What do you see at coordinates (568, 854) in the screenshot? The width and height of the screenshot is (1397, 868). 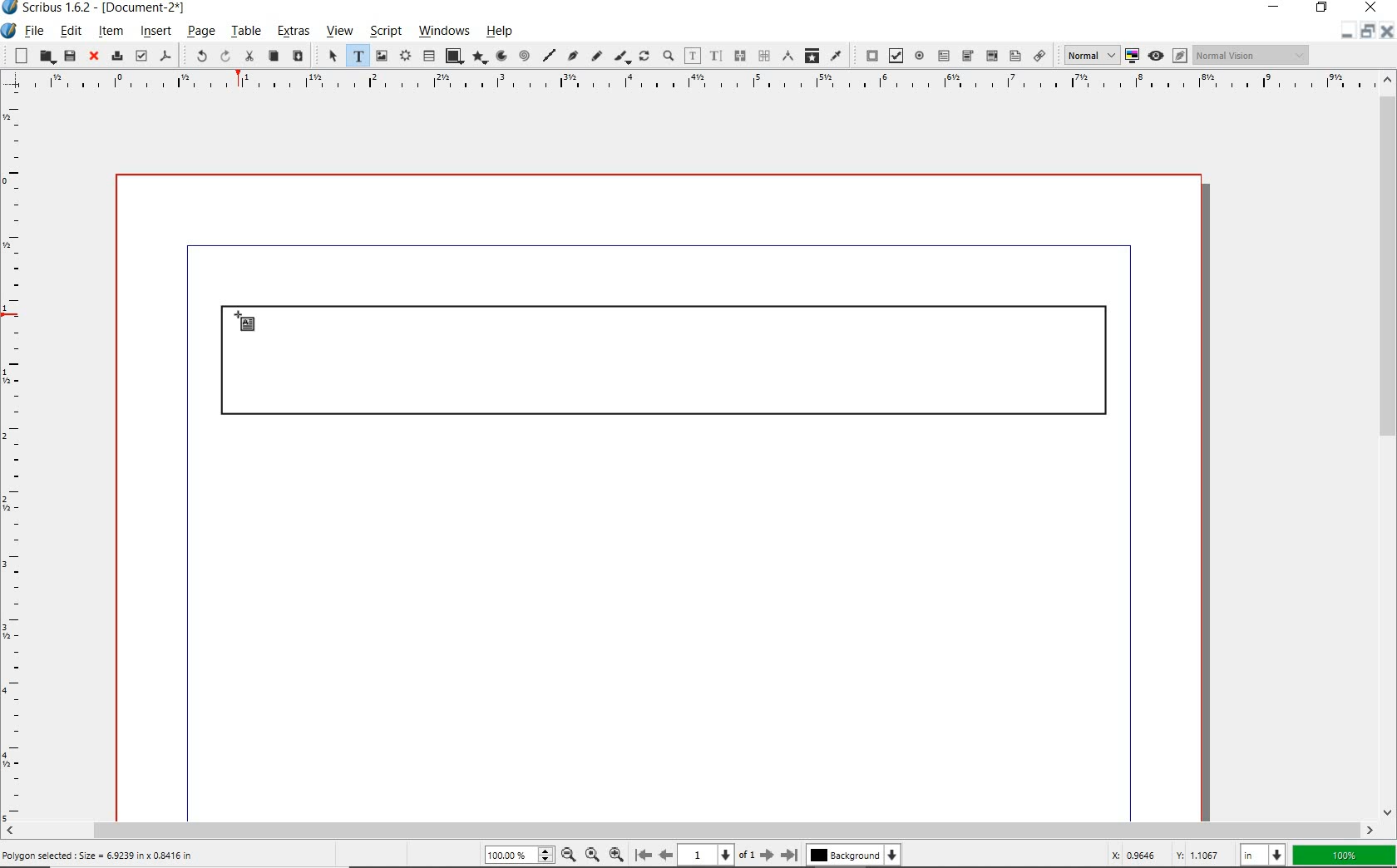 I see `zoom in` at bounding box center [568, 854].